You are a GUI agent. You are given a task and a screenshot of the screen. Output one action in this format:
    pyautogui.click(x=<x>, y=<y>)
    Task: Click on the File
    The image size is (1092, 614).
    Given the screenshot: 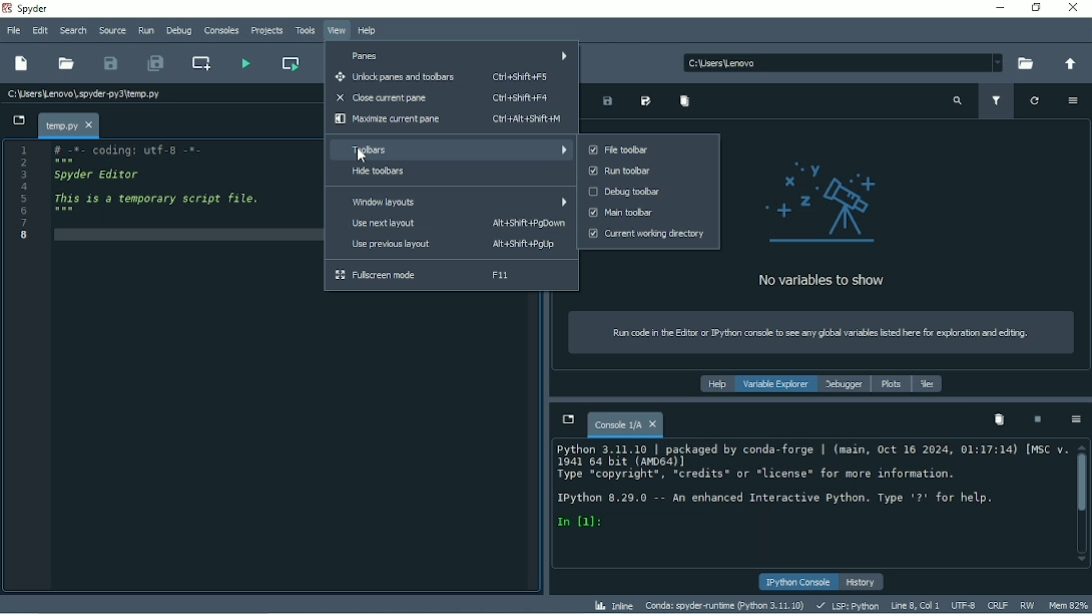 What is the action you would take?
    pyautogui.click(x=12, y=31)
    